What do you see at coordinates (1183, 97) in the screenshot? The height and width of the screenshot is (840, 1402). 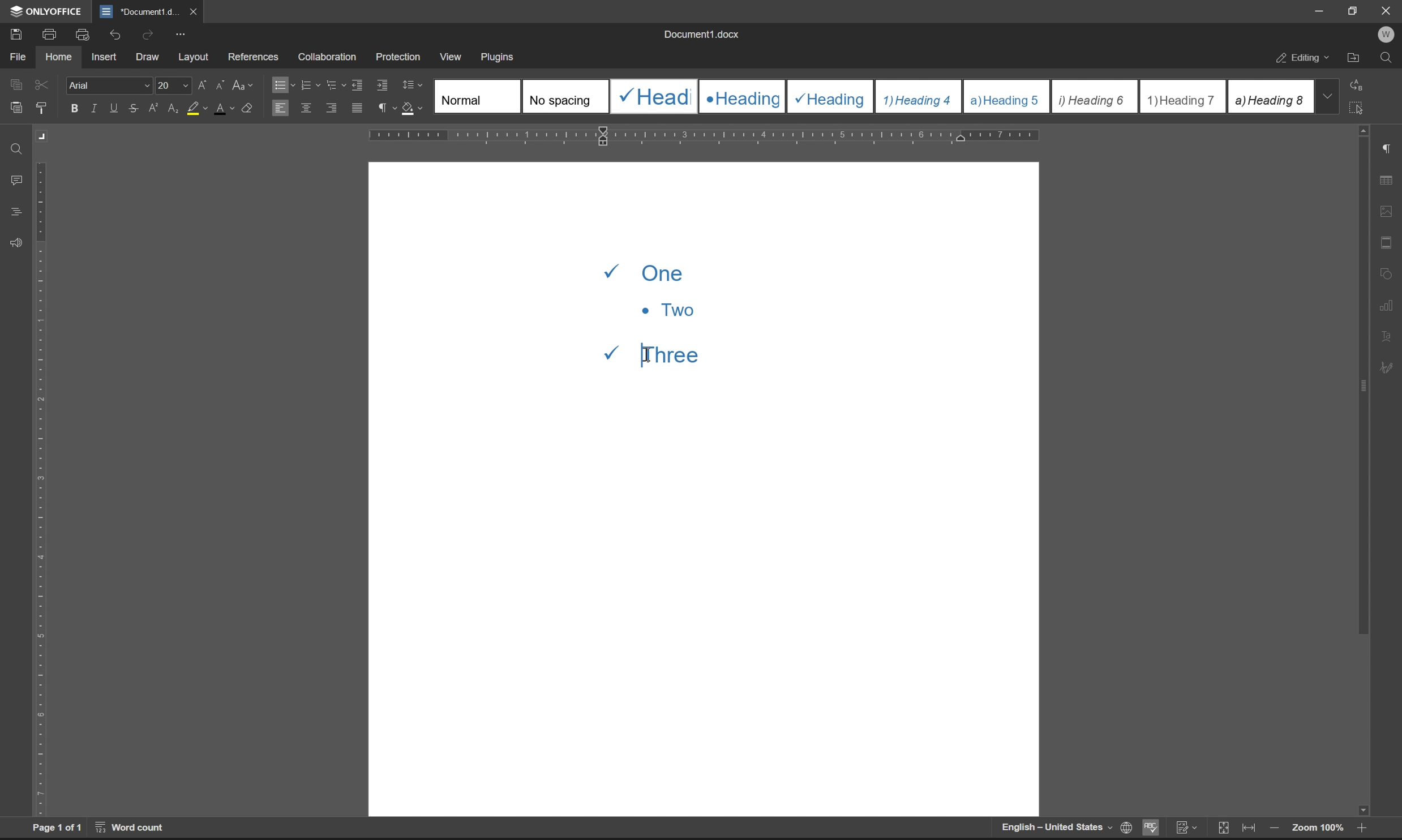 I see `Heading 7` at bounding box center [1183, 97].